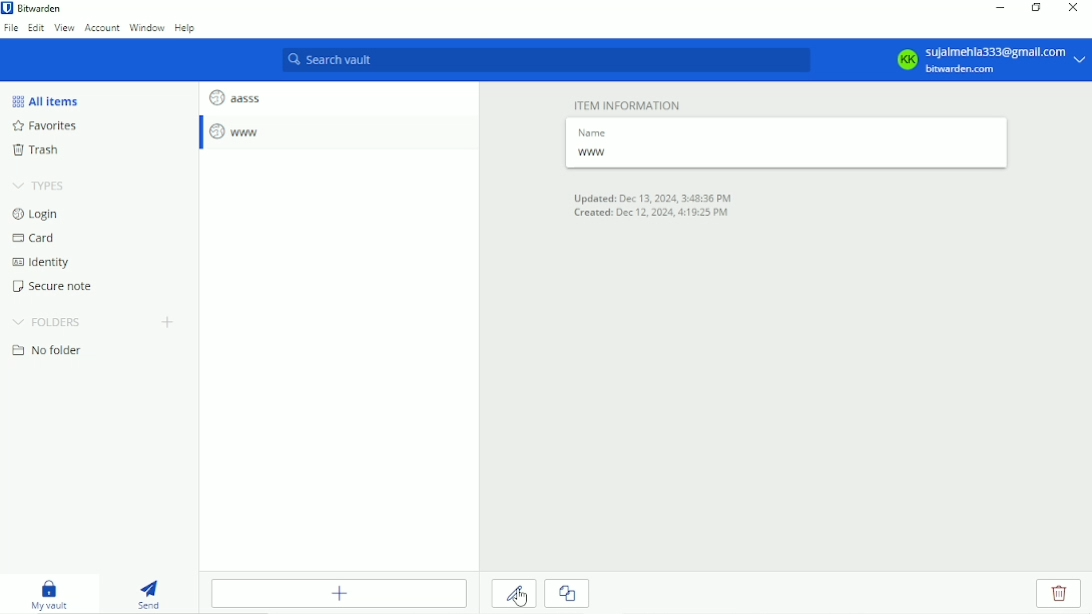 The image size is (1092, 614). I want to click on Name, so click(597, 131).